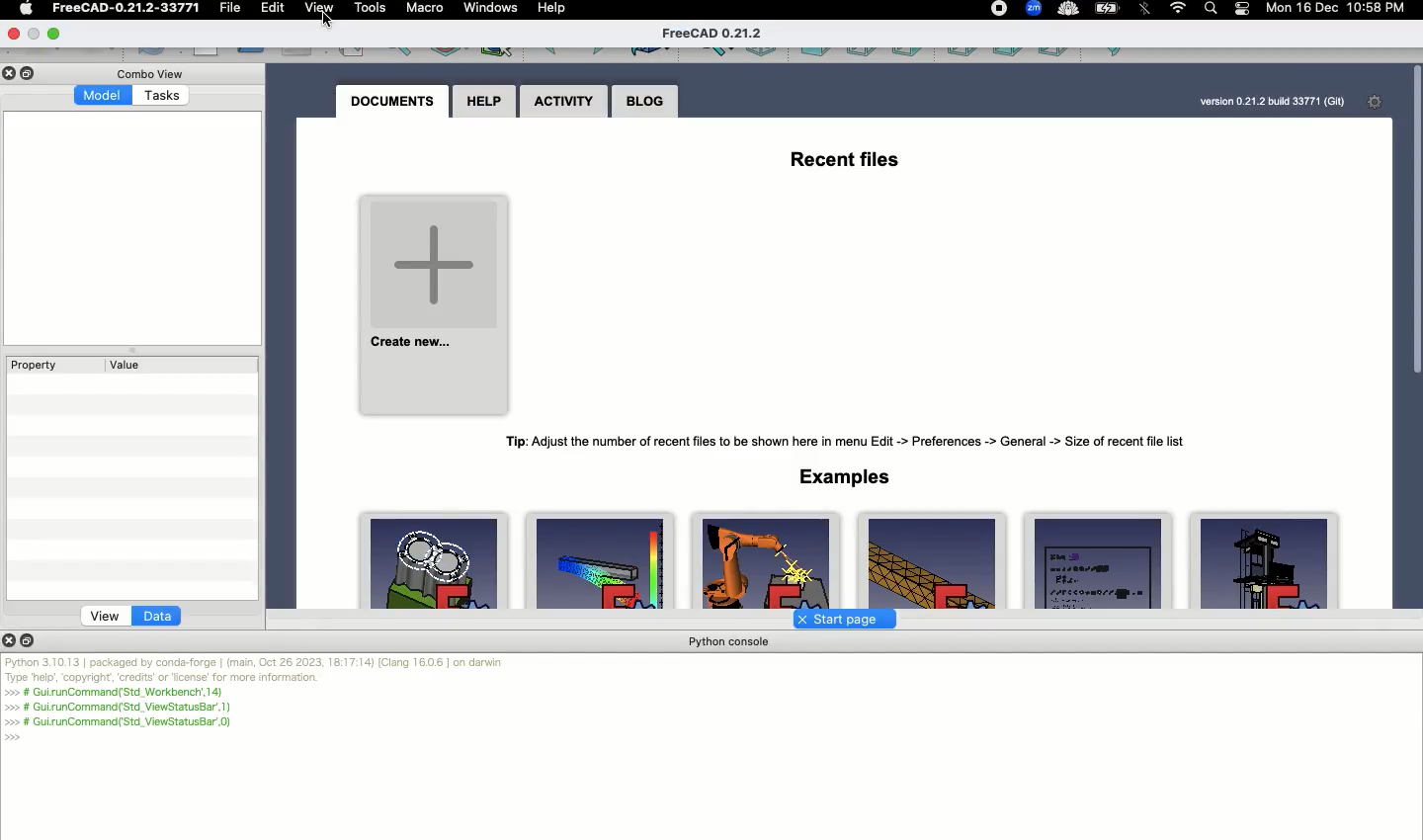 The image size is (1423, 840). What do you see at coordinates (1094, 561) in the screenshot?
I see `Draft_test_objects.FCStd FreeCAD Developers 117Kb` at bounding box center [1094, 561].